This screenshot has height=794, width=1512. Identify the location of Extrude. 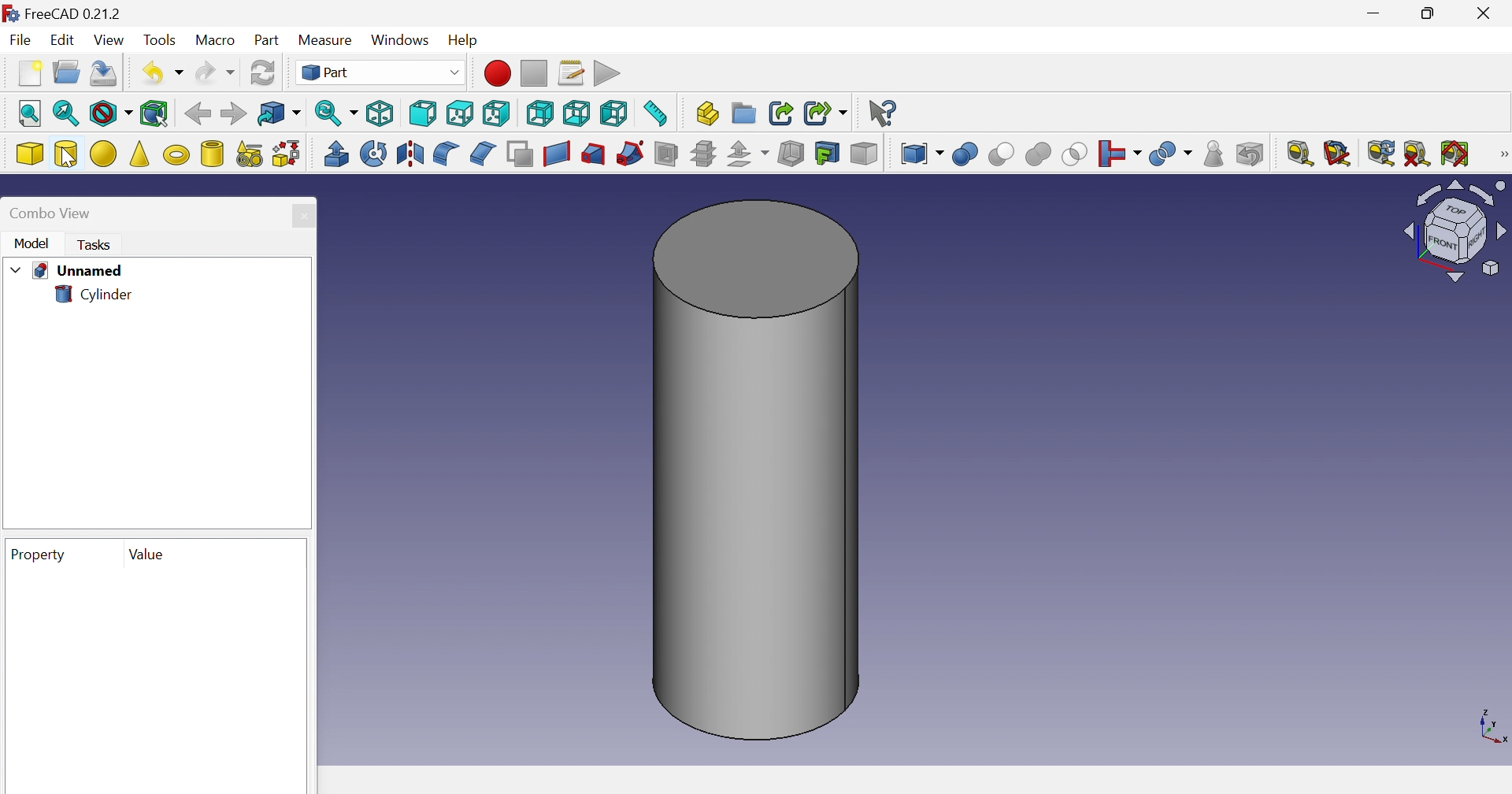
(335, 154).